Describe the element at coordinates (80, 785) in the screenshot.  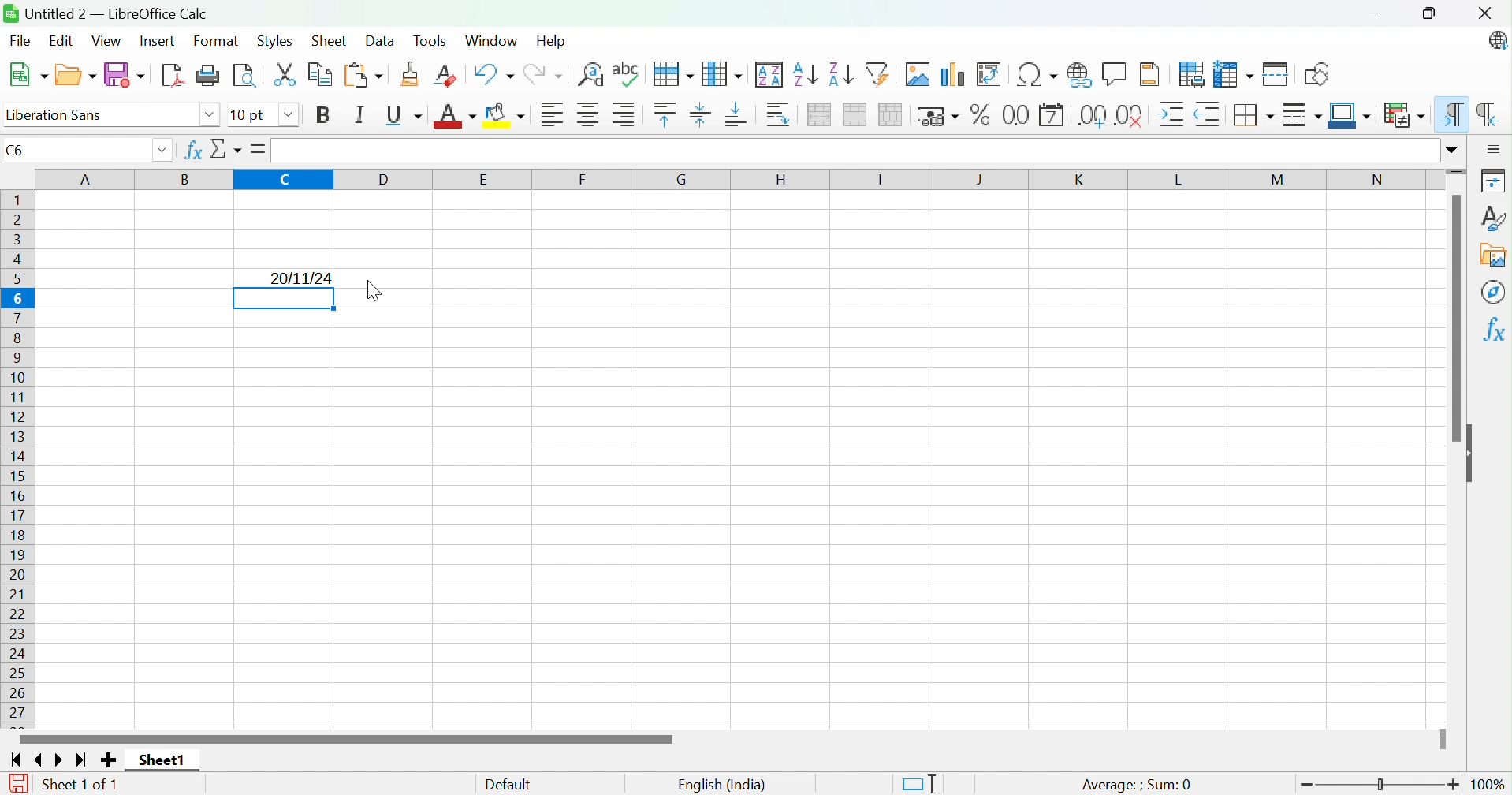
I see `Sheet 1 of 1` at that location.